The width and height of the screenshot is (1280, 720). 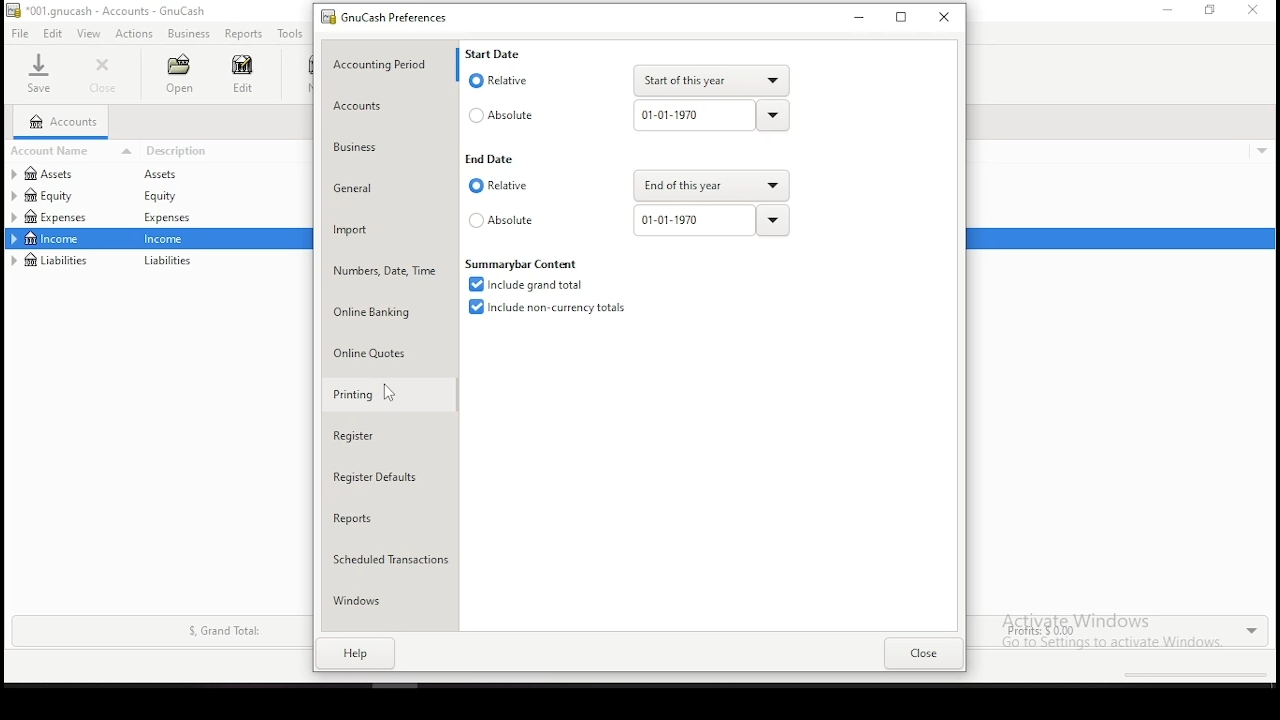 I want to click on windows, so click(x=384, y=600).